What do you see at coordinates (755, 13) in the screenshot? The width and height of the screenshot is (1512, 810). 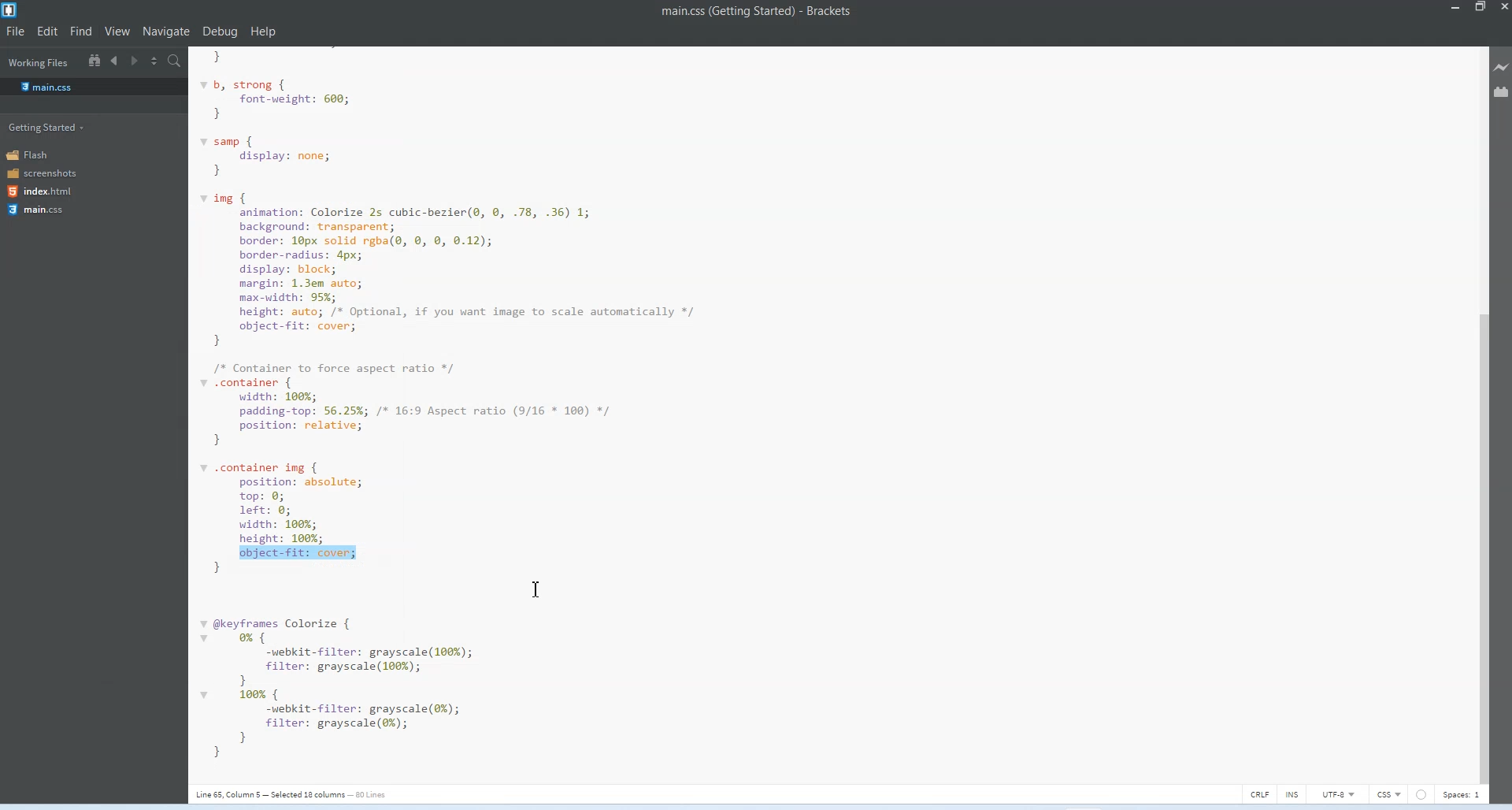 I see `| Line 65, Column 5 — Selected 12 columas — 50 Lines.` at bounding box center [755, 13].